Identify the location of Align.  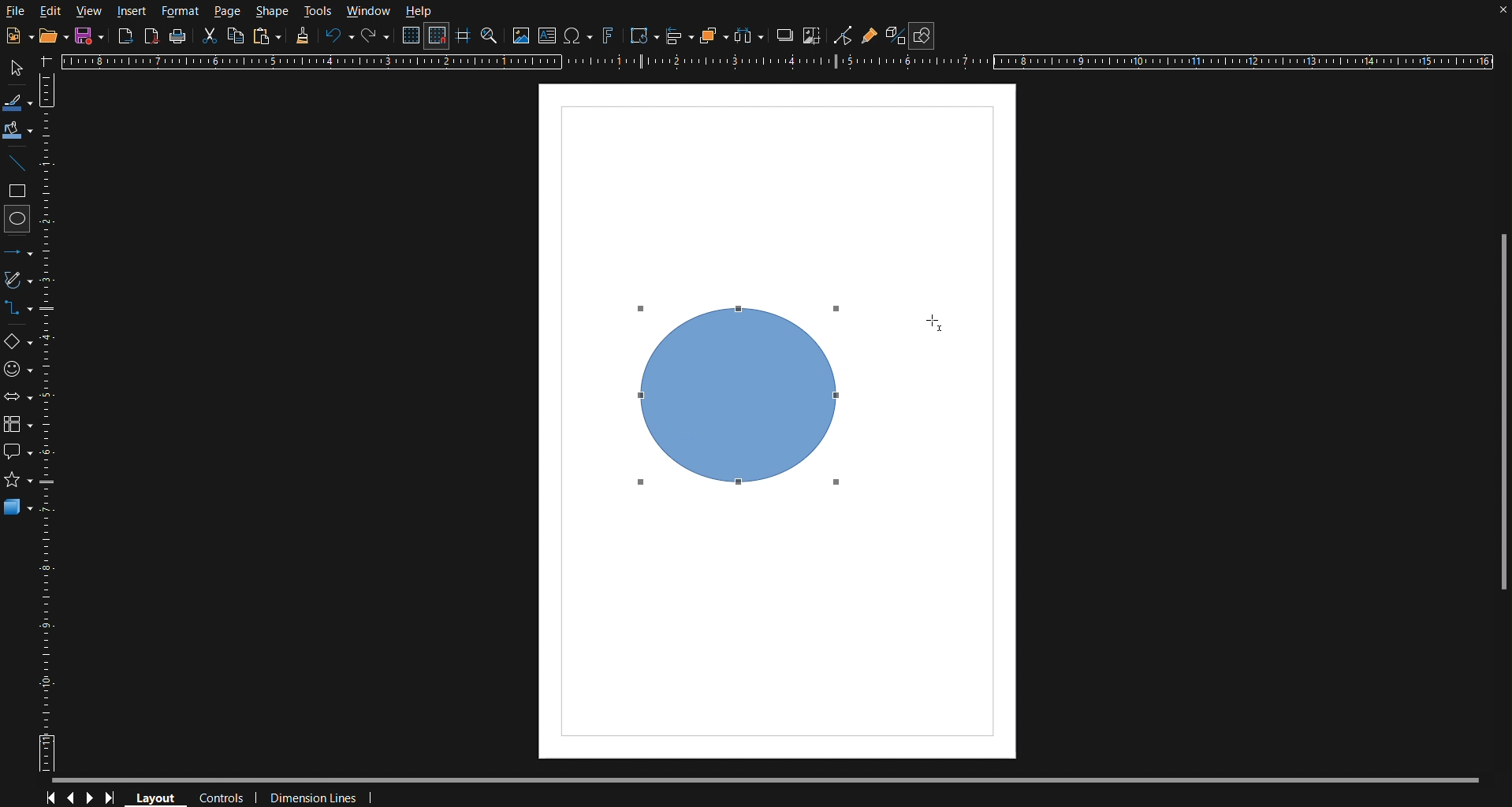
(679, 35).